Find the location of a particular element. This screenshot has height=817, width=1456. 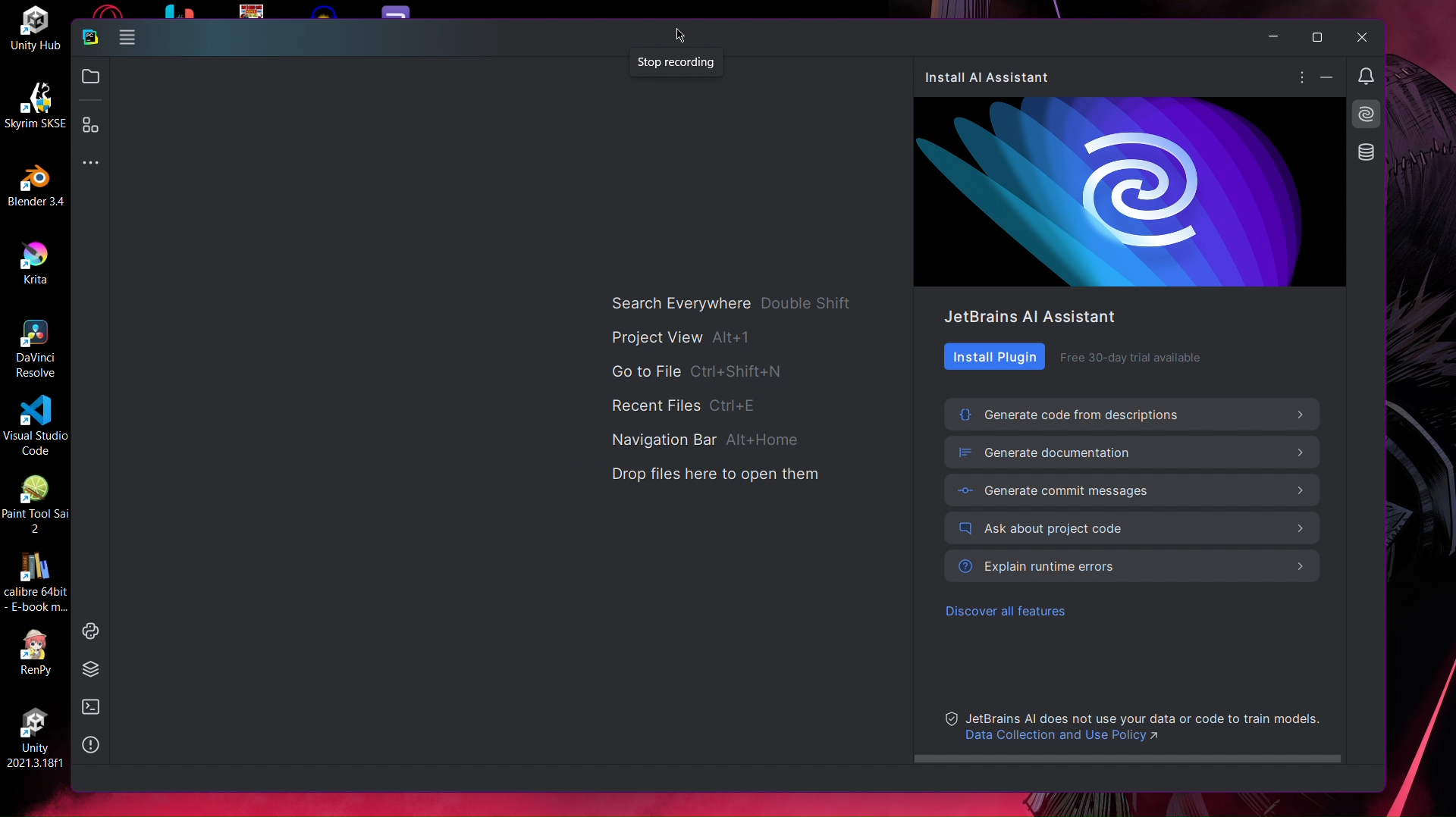

Unity is located at coordinates (33, 733).